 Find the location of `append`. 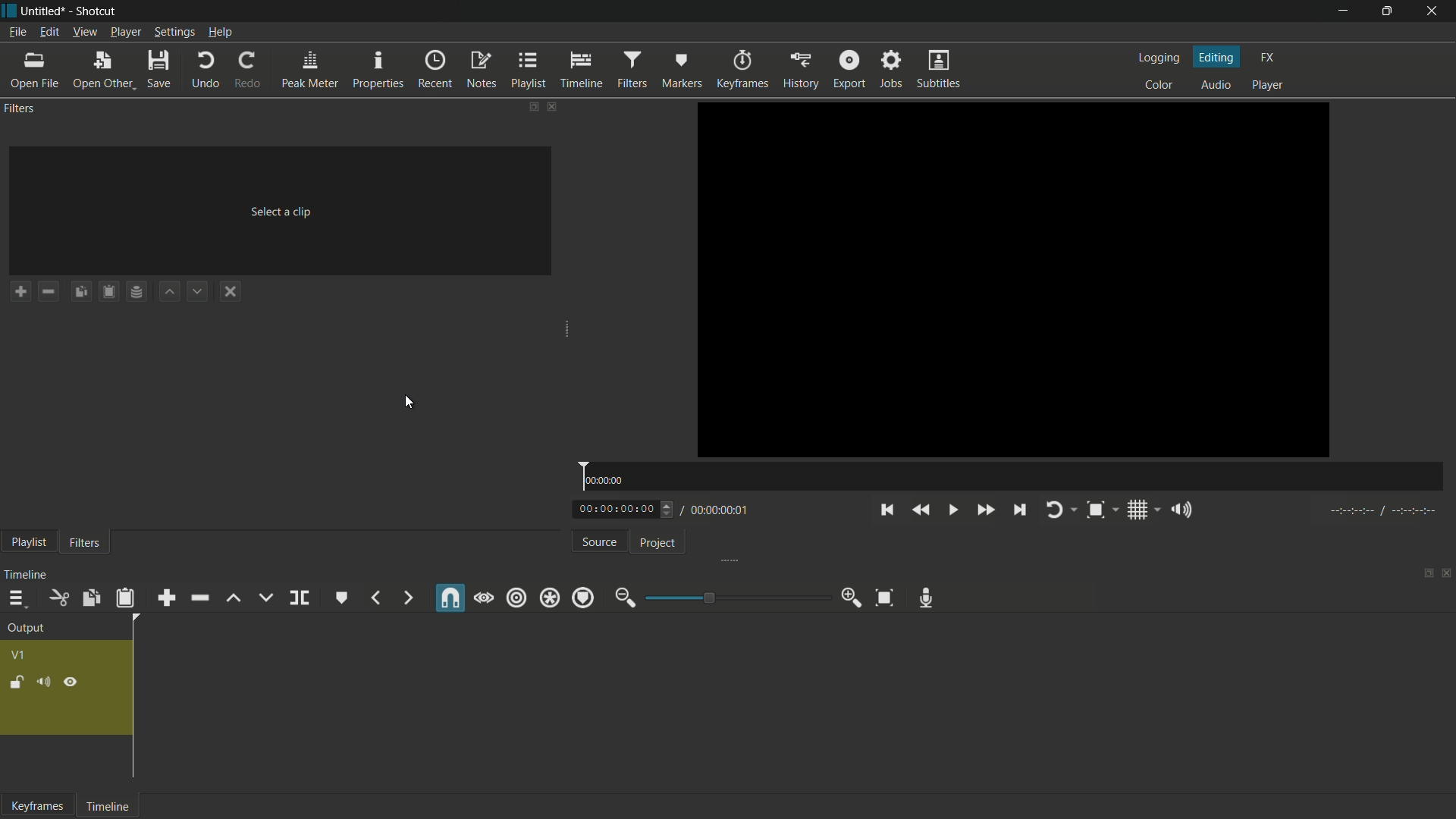

append is located at coordinates (167, 599).